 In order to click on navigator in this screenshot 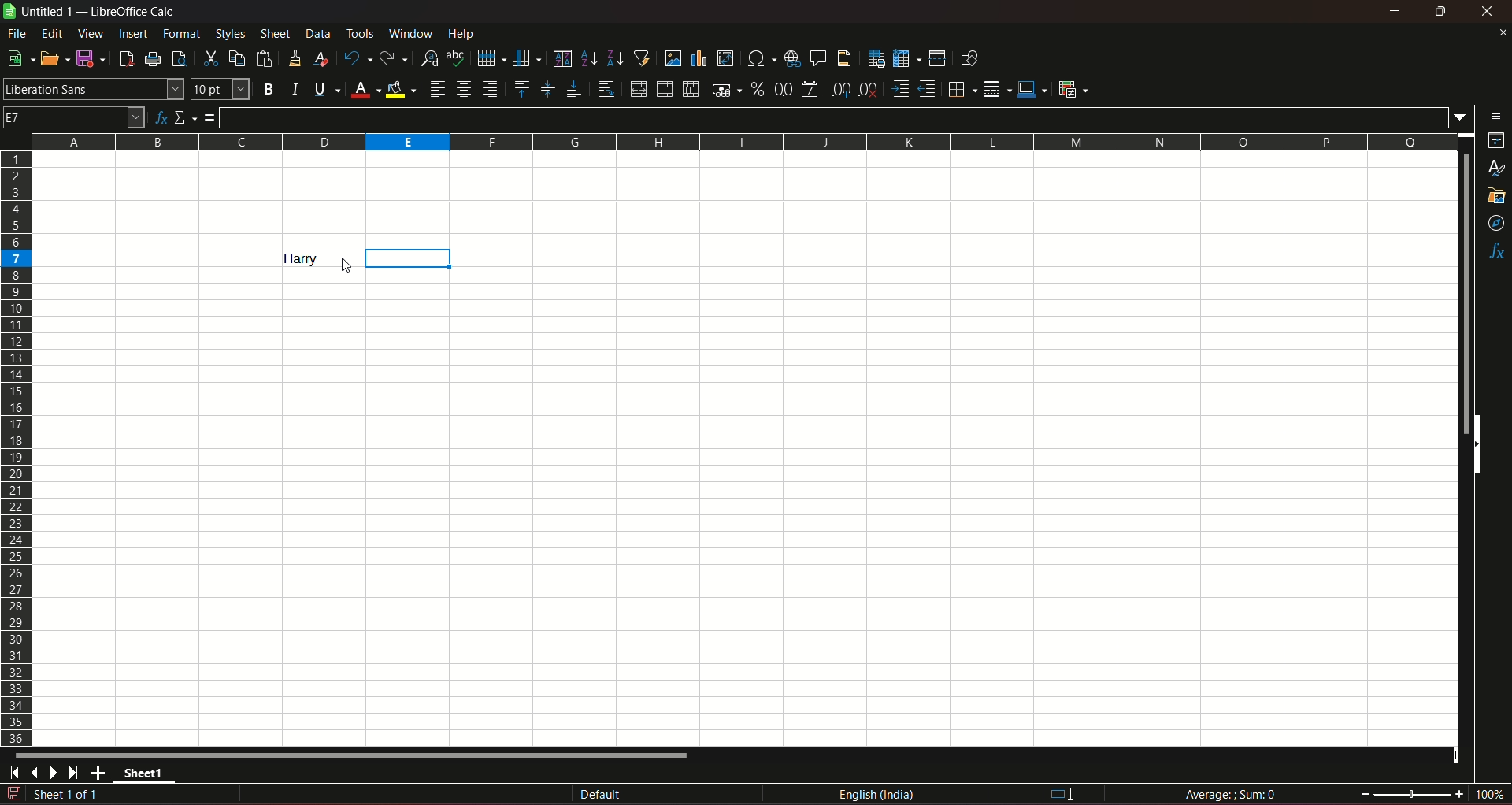, I will do `click(1497, 224)`.